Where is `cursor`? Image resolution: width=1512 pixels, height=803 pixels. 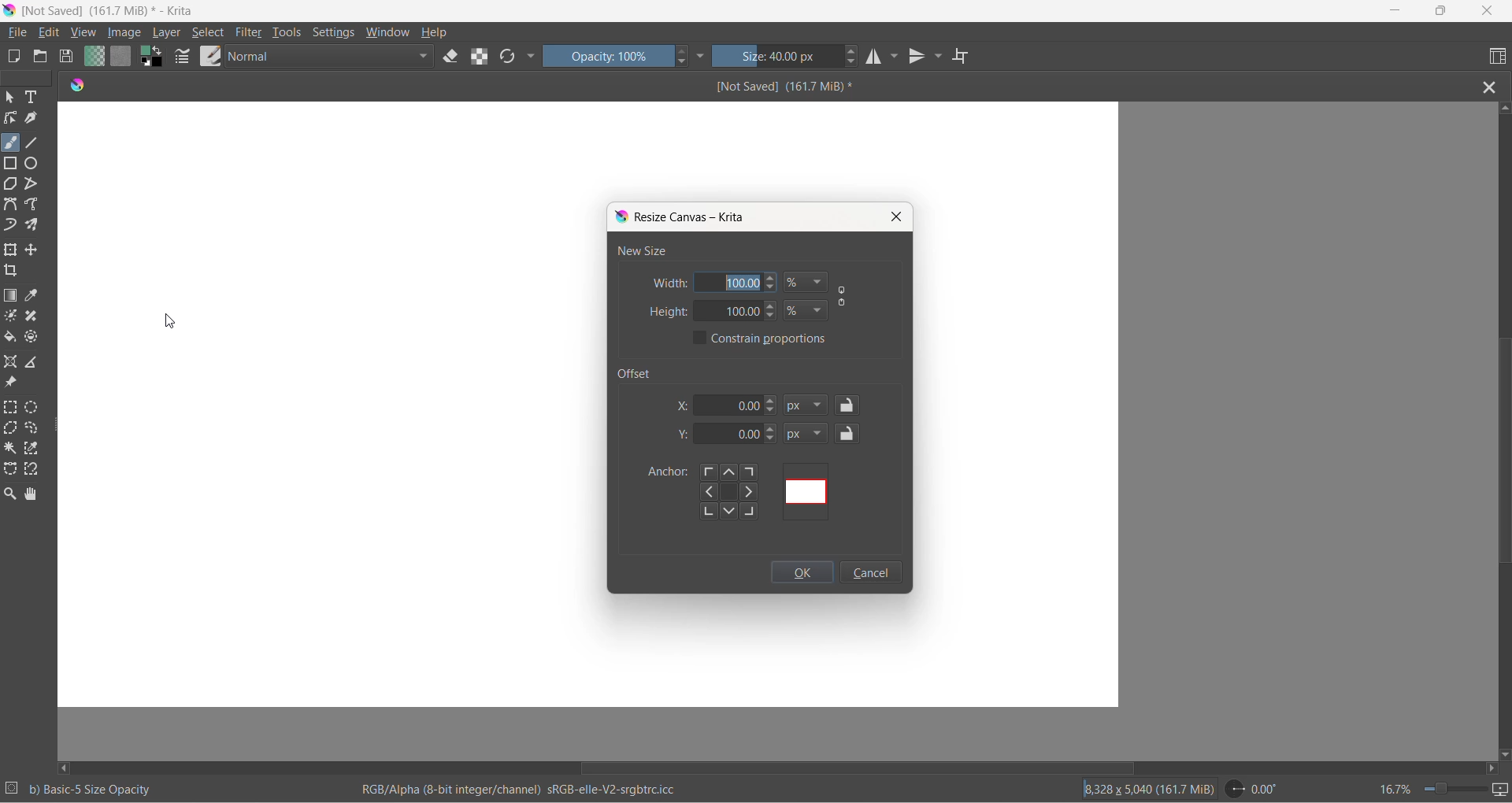
cursor is located at coordinates (171, 321).